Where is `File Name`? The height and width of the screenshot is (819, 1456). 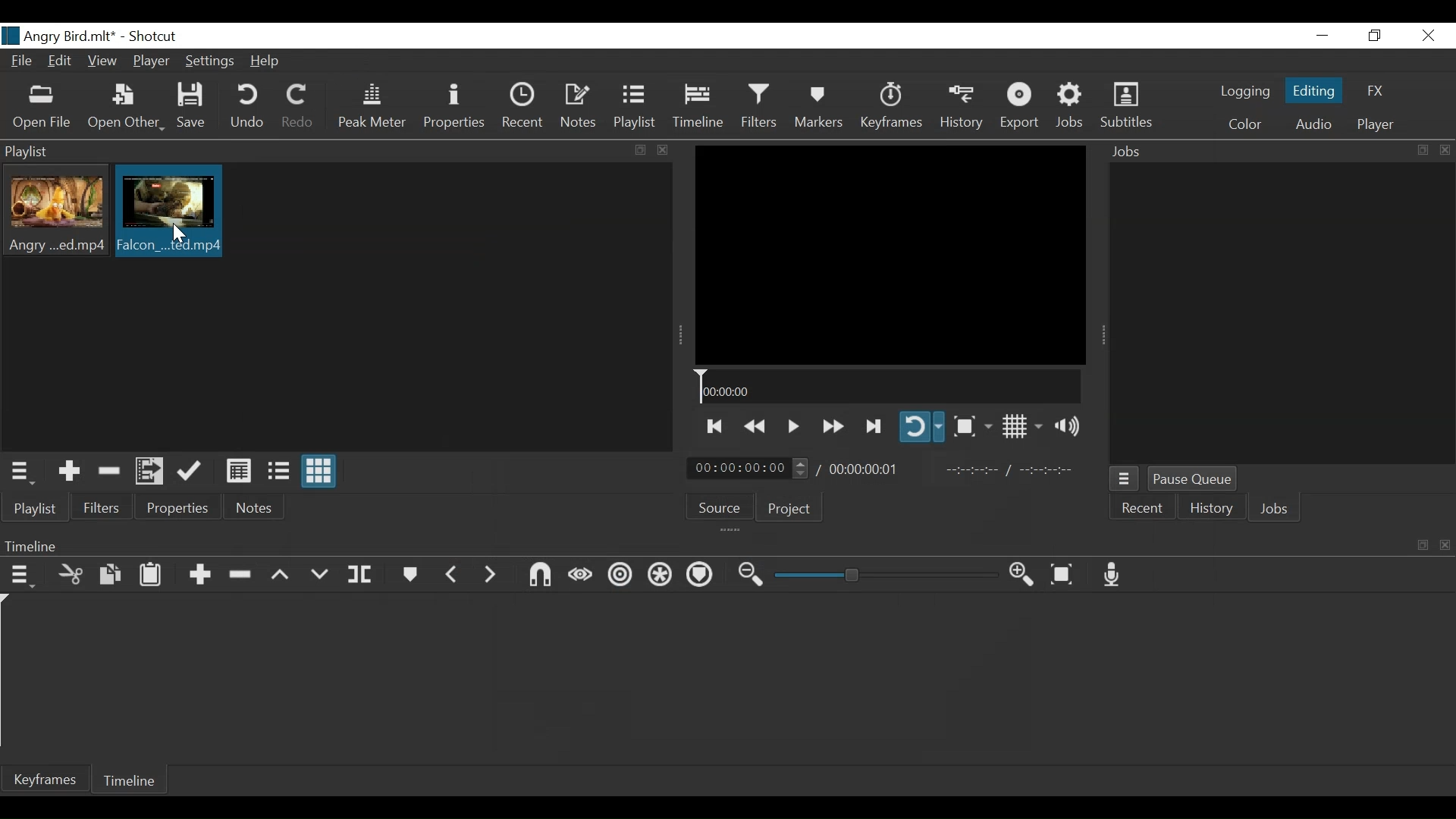
File Name is located at coordinates (24, 63).